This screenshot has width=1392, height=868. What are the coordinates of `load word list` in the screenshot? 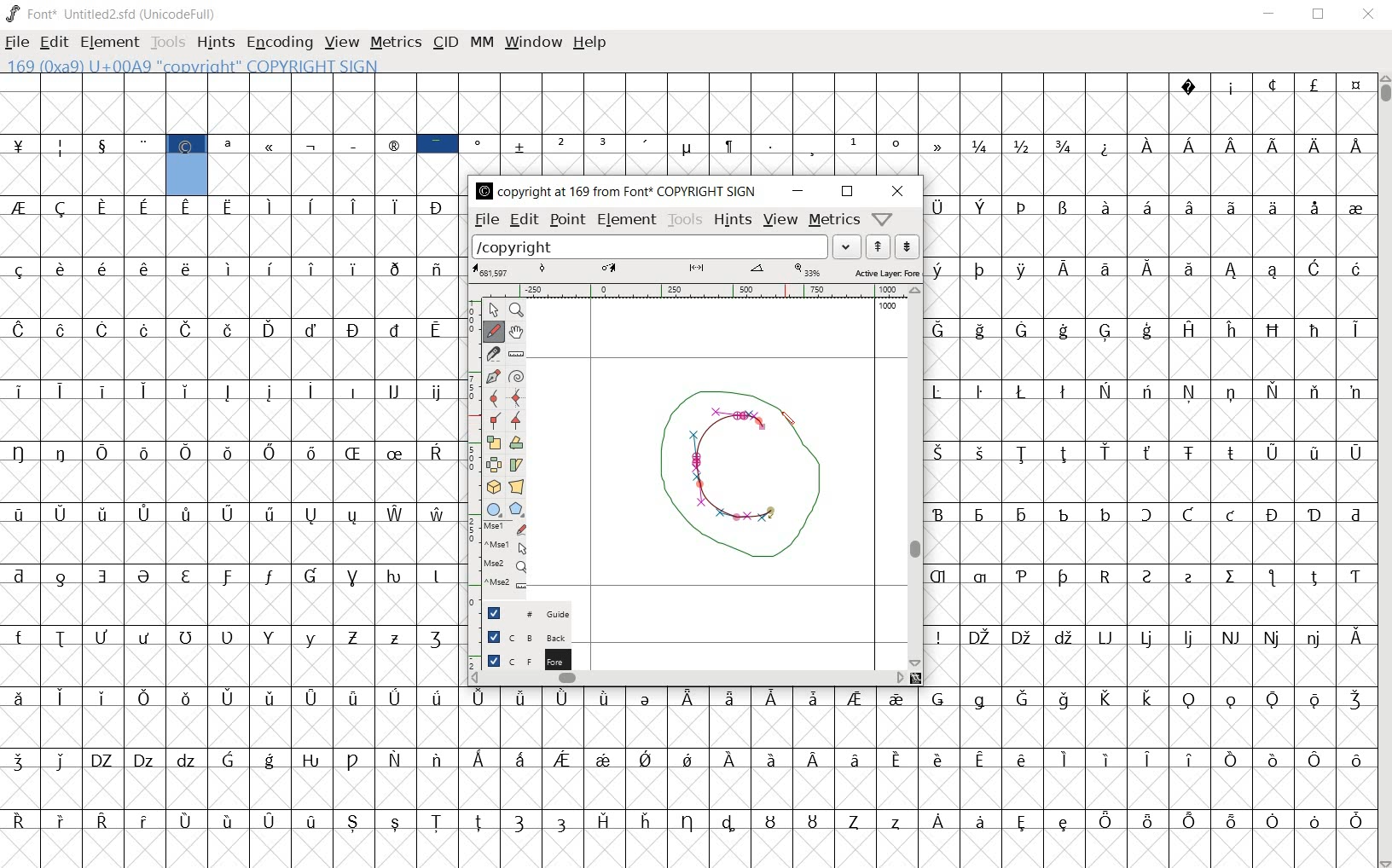 It's located at (665, 246).